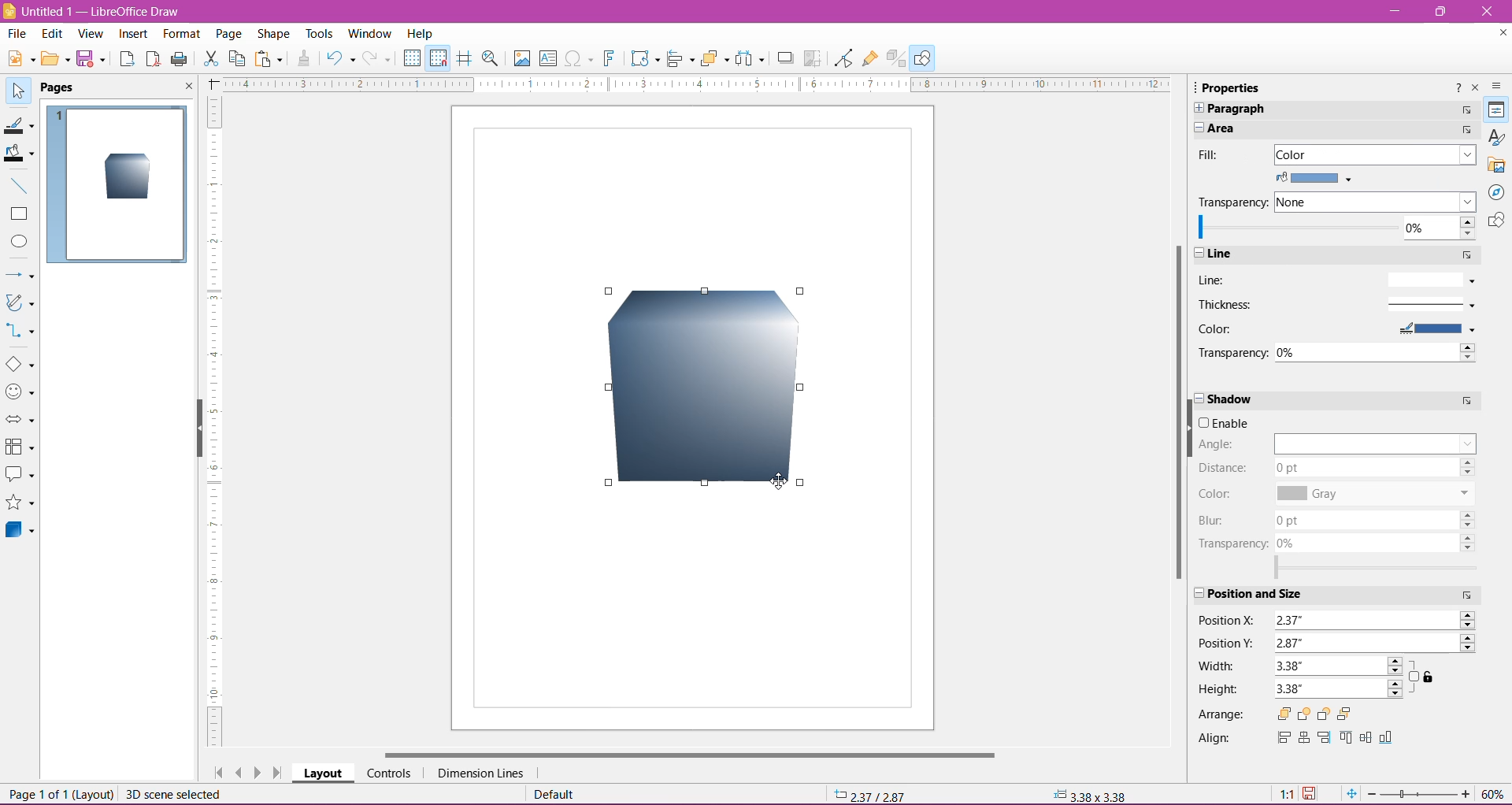 Image resolution: width=1512 pixels, height=805 pixels. What do you see at coordinates (236, 59) in the screenshot?
I see `Copy` at bounding box center [236, 59].